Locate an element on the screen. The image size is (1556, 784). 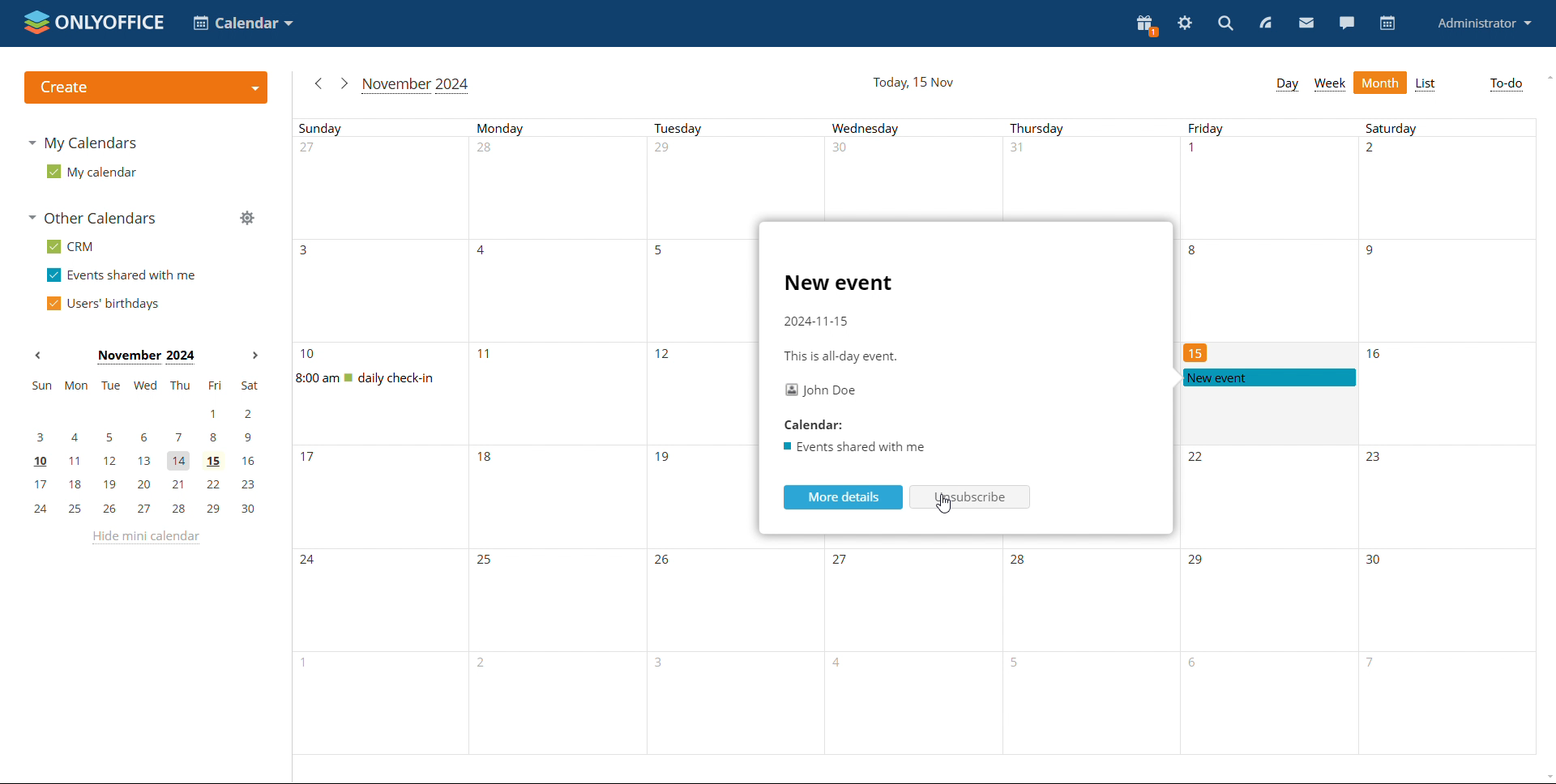
crm is located at coordinates (68, 246).